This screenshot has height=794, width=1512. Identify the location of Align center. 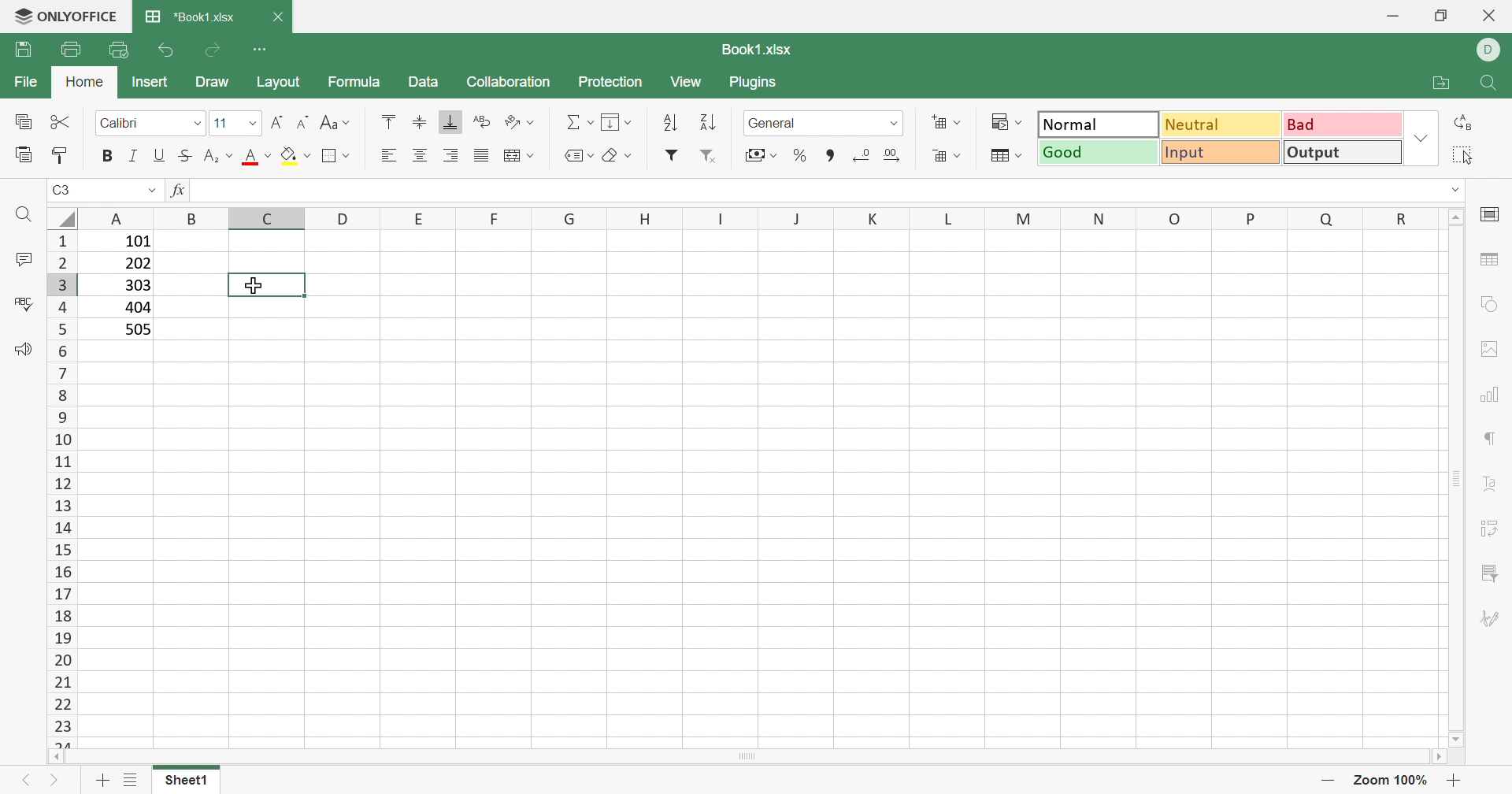
(424, 154).